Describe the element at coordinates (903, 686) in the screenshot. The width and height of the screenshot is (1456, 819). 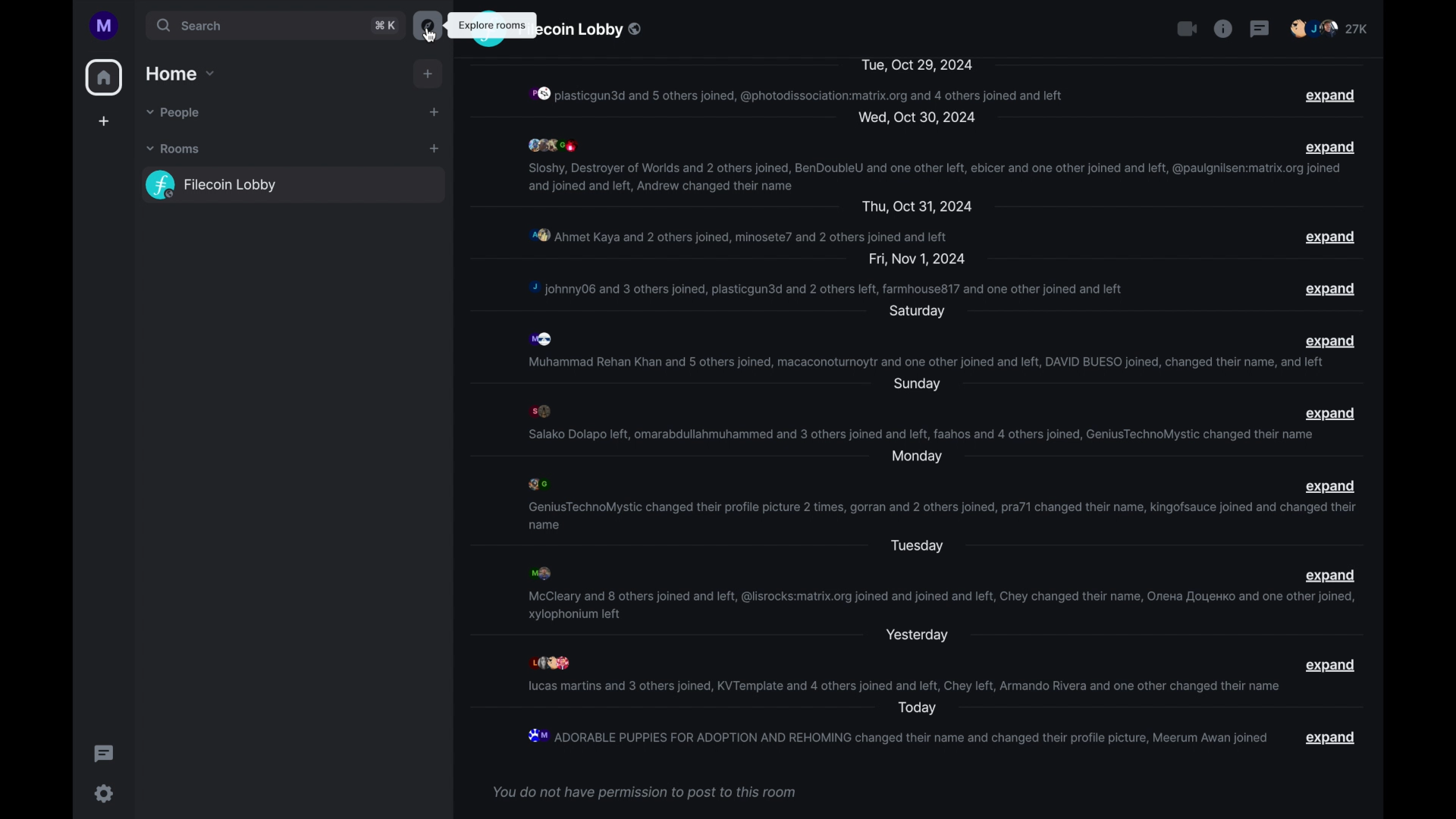
I see `lucas martins and 3 others joined, KVTemplate and 4 others joined and left, Chey left, Armando Rivera and one other changed their name` at that location.